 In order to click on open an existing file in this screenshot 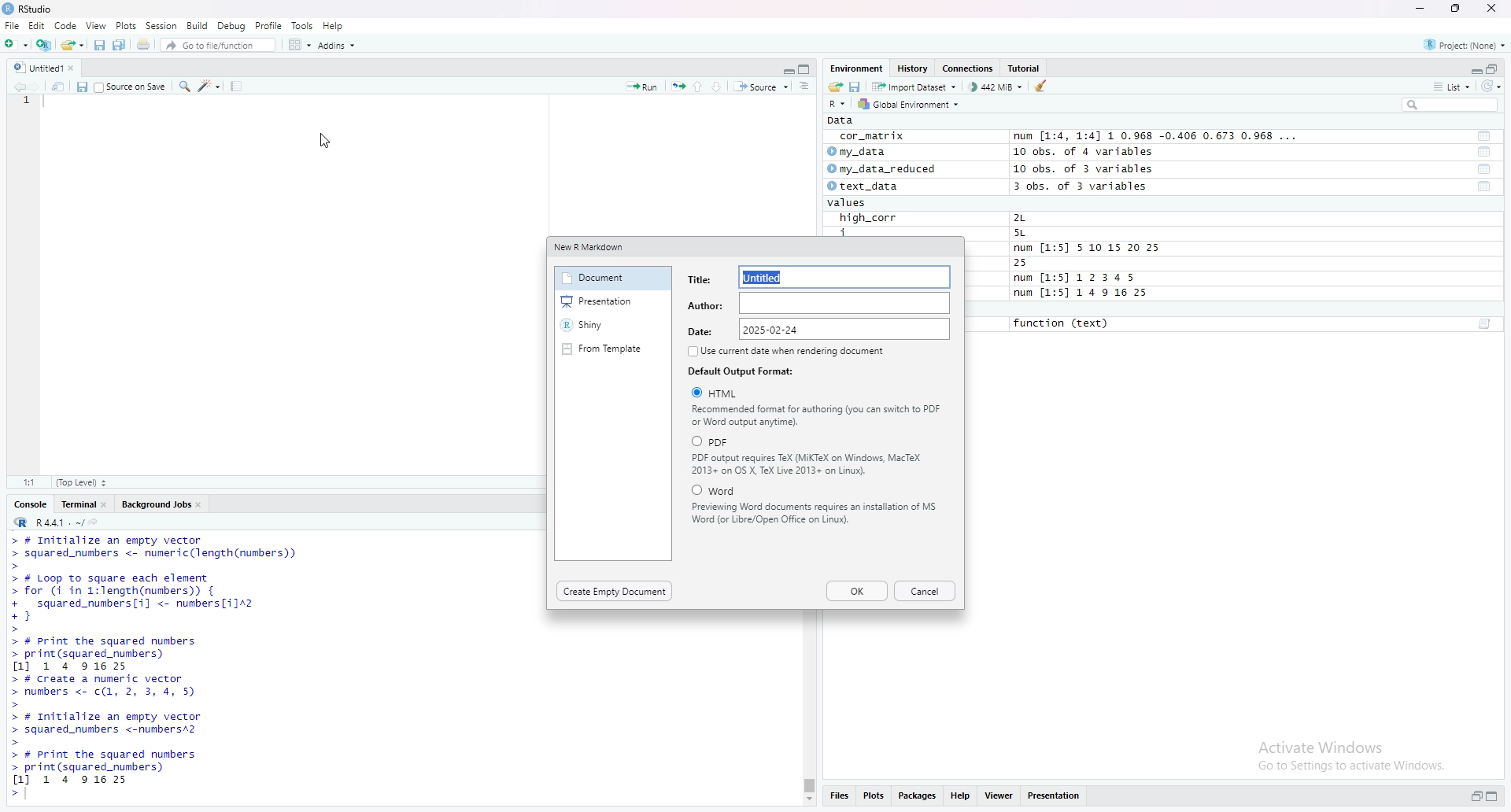, I will do `click(71, 45)`.